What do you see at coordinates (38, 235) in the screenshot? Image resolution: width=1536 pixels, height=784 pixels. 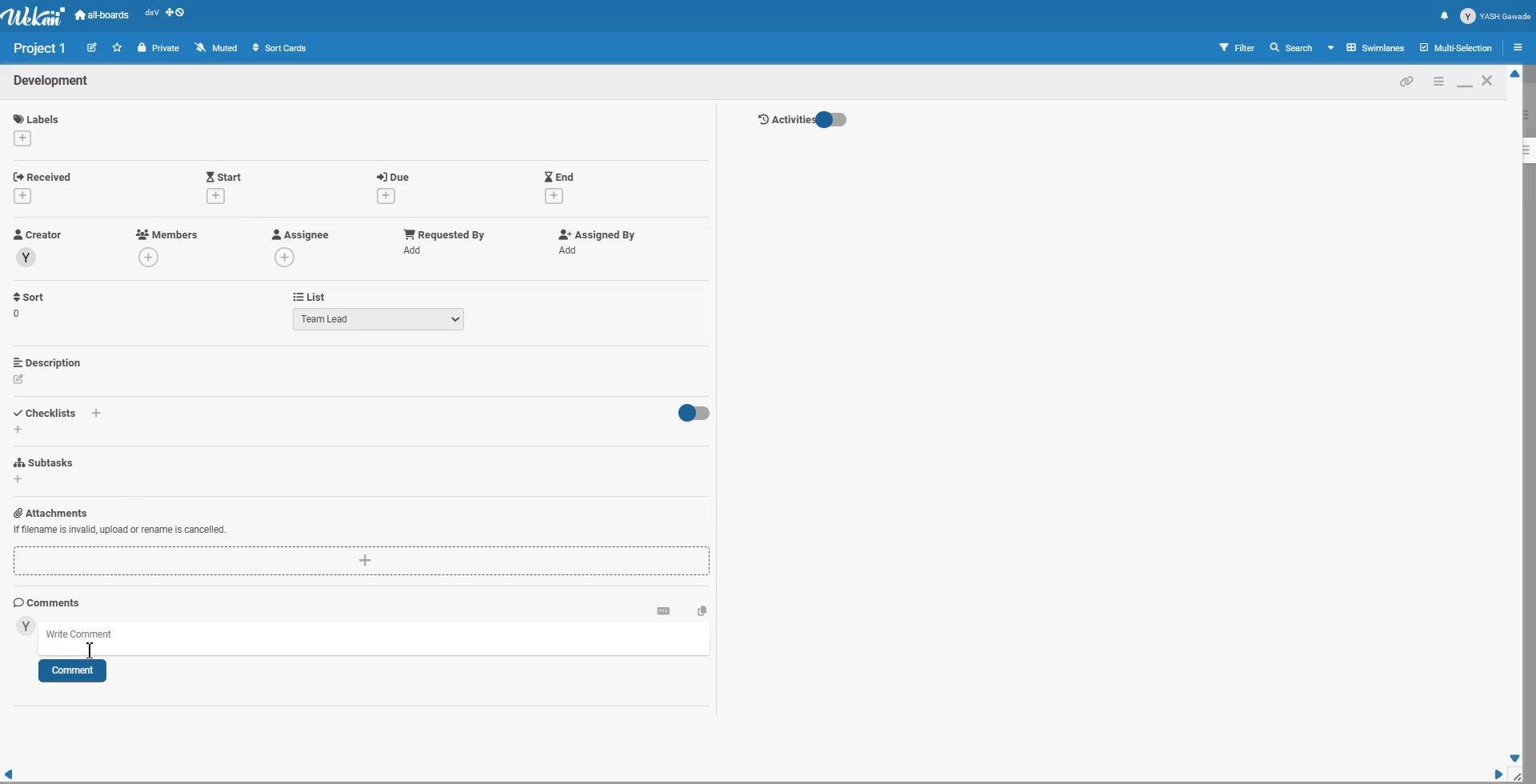 I see `Creator Profile` at bounding box center [38, 235].